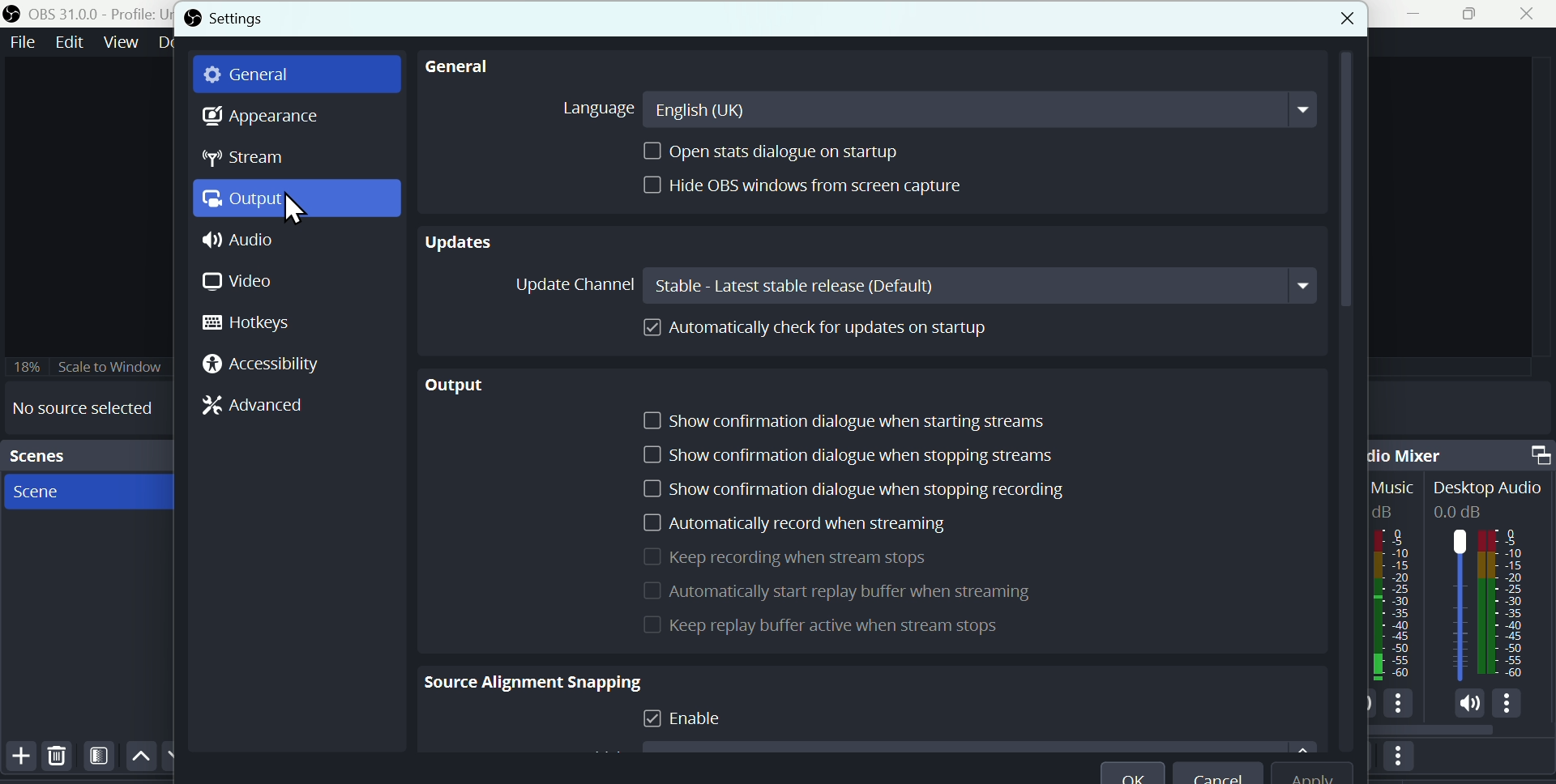 The image size is (1556, 784). What do you see at coordinates (251, 324) in the screenshot?
I see `hotkeys` at bounding box center [251, 324].